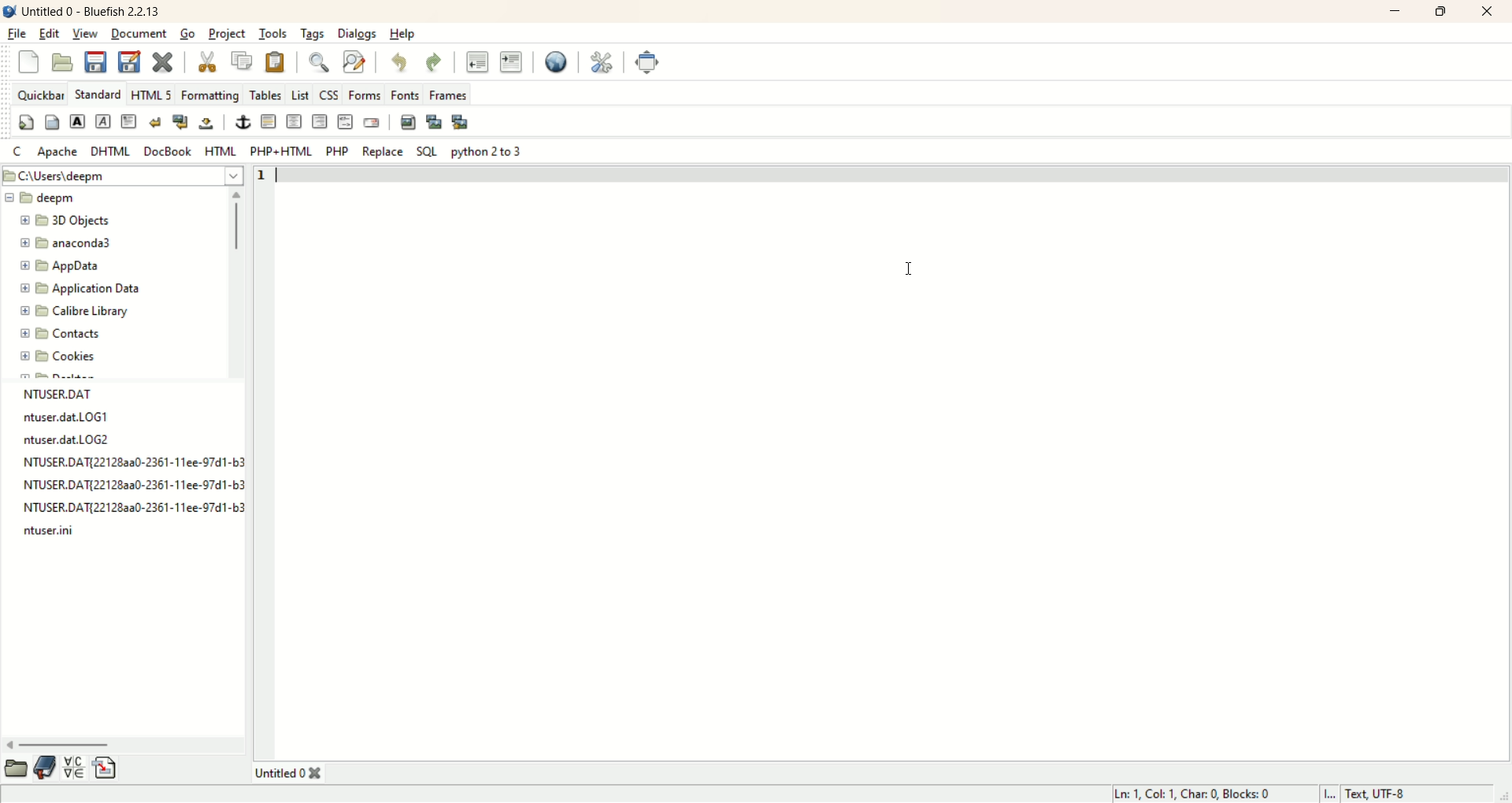  I want to click on python 2 to 3, so click(489, 152).